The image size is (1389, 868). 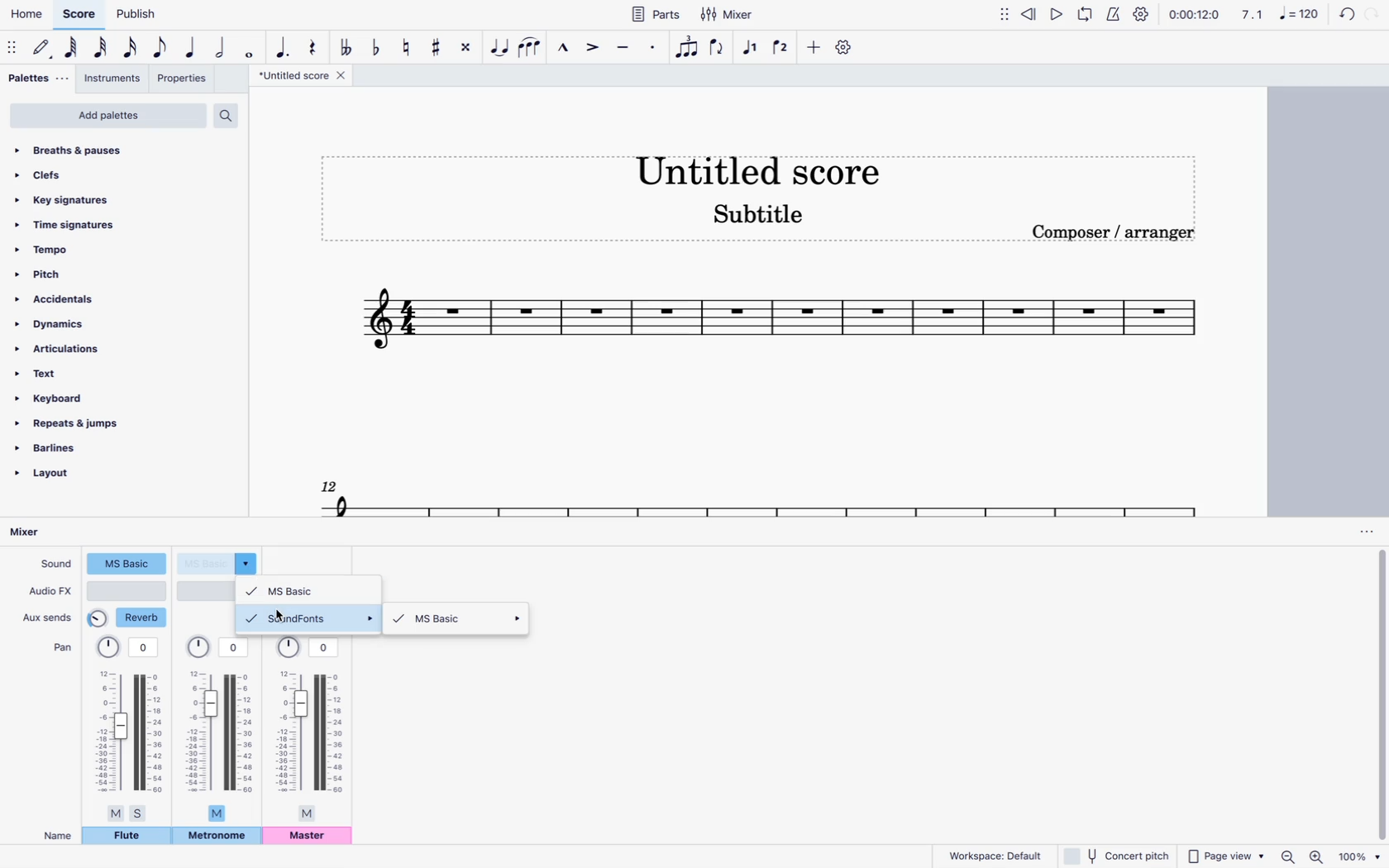 What do you see at coordinates (26, 17) in the screenshot?
I see `home` at bounding box center [26, 17].